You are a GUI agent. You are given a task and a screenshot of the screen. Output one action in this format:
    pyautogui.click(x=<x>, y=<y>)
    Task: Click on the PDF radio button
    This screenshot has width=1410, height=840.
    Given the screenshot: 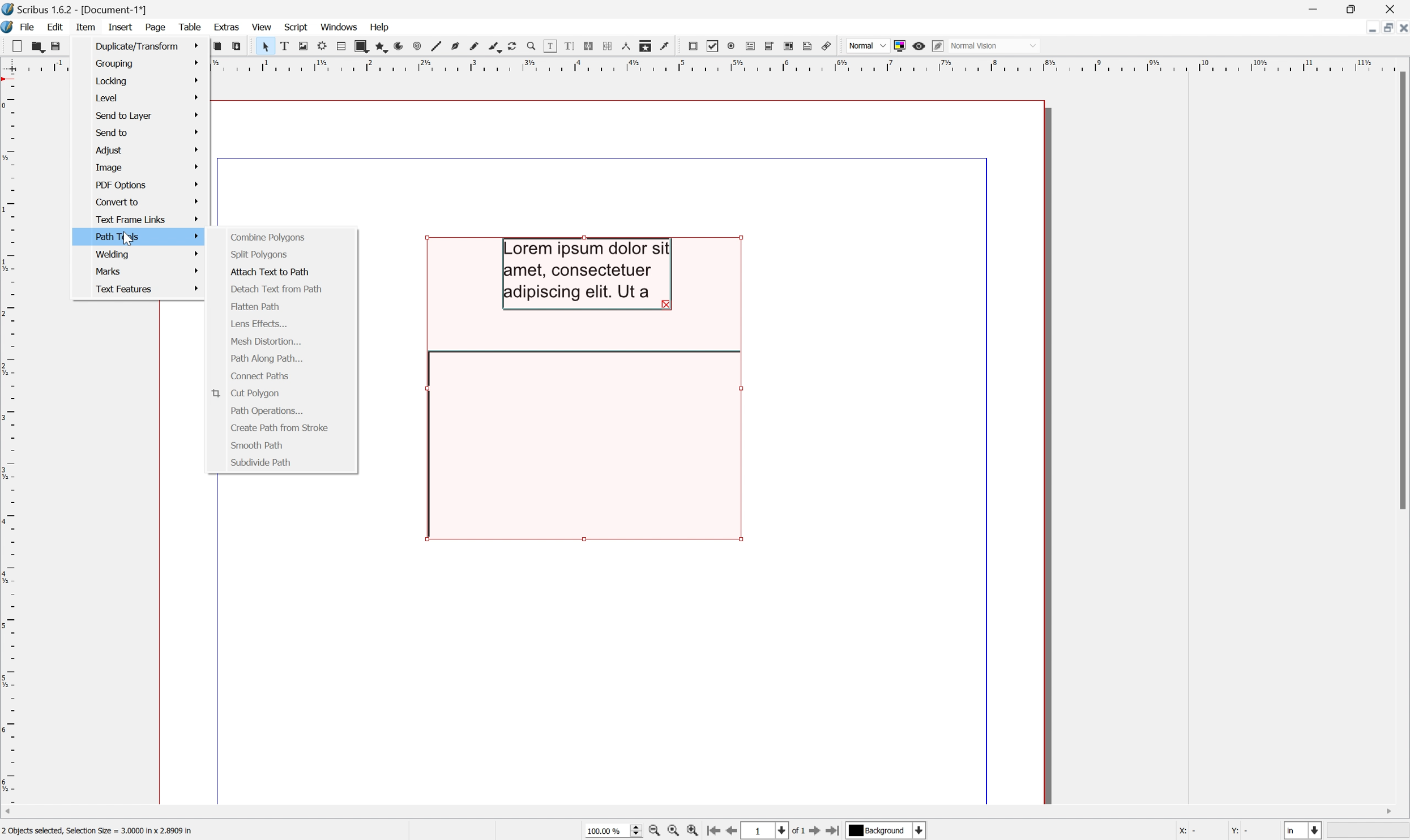 What is the action you would take?
    pyautogui.click(x=730, y=46)
    